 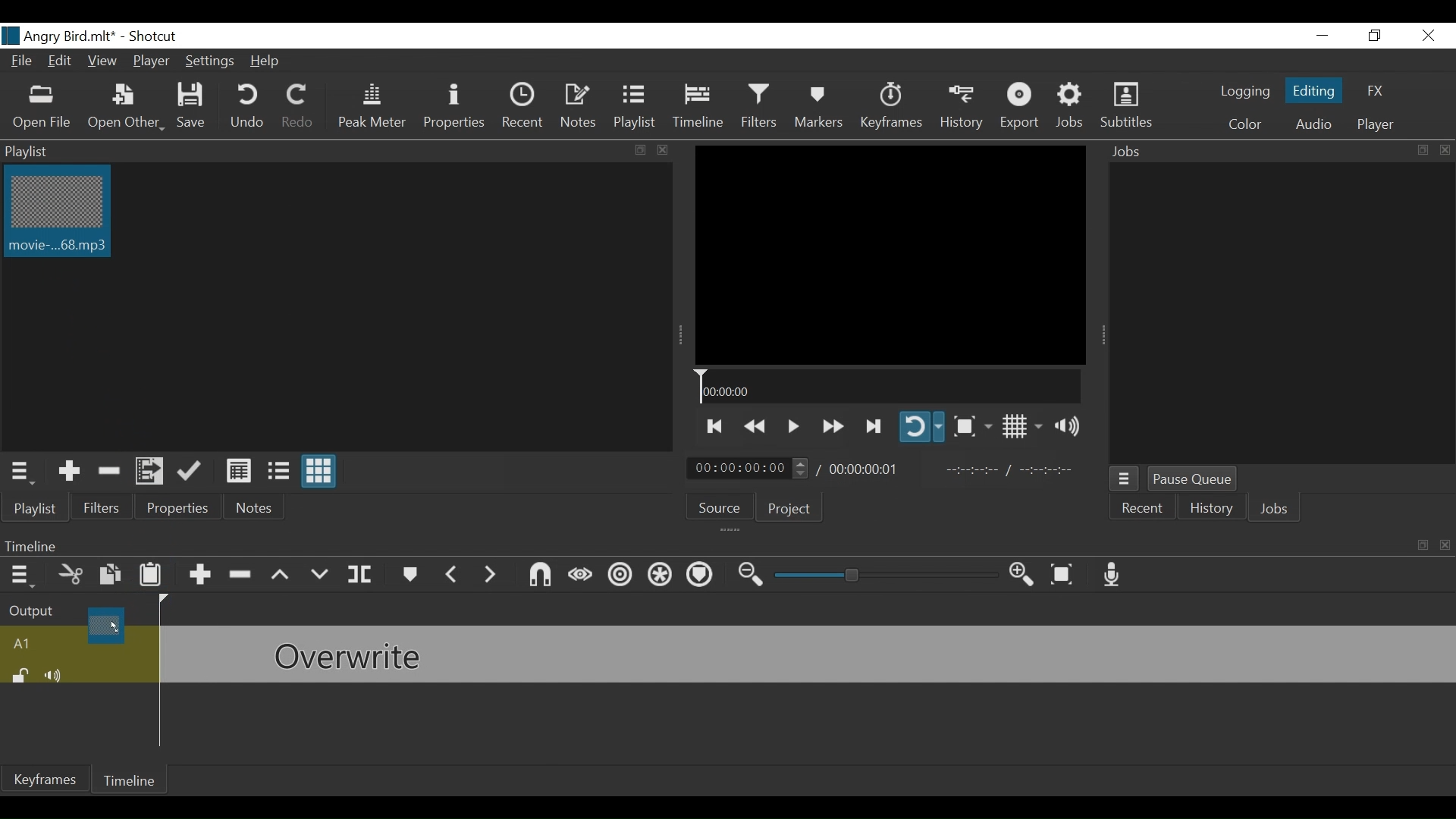 What do you see at coordinates (70, 472) in the screenshot?
I see `Add the Source to the playlist` at bounding box center [70, 472].